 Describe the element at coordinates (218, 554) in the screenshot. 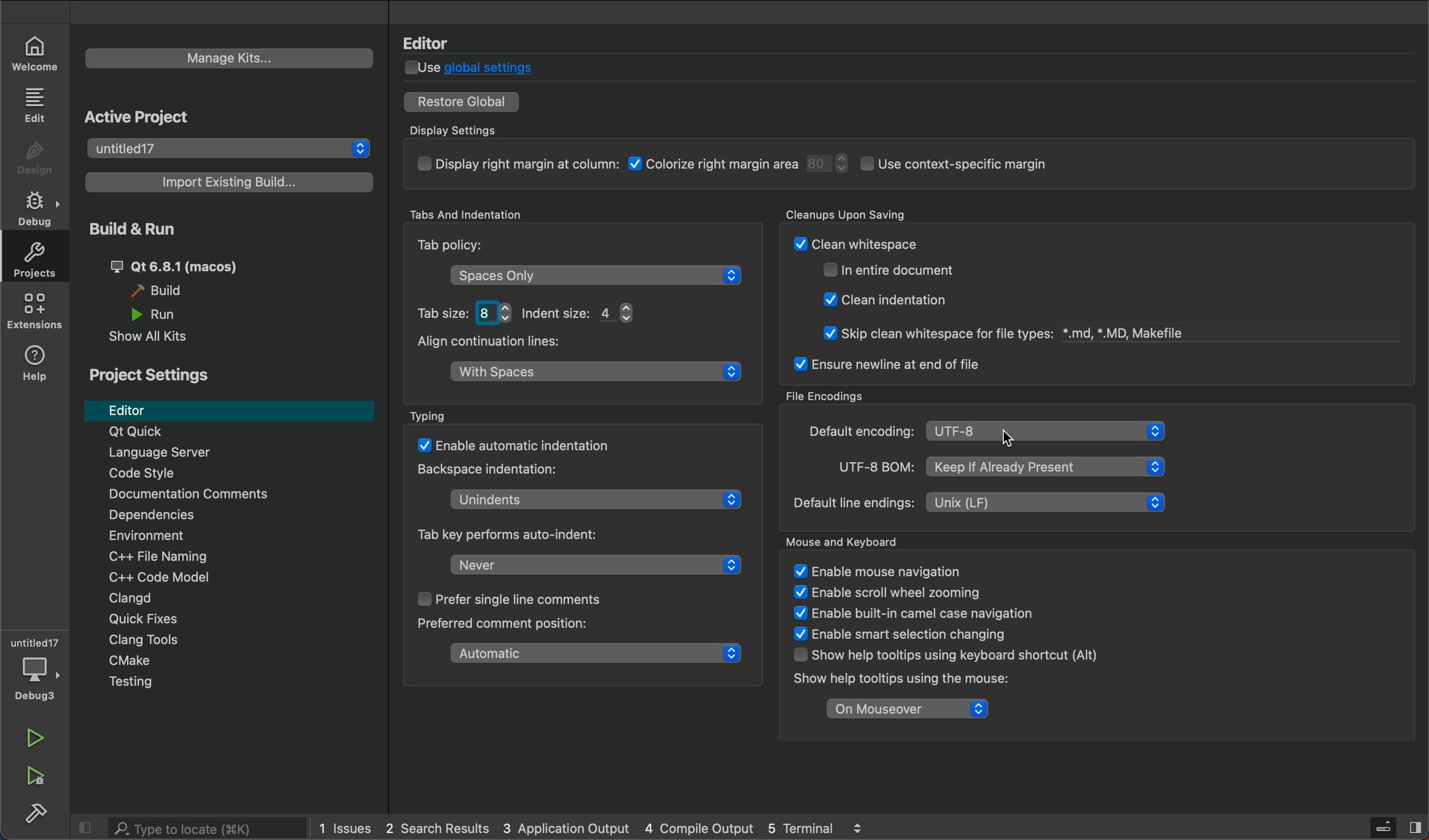

I see `file naming` at that location.